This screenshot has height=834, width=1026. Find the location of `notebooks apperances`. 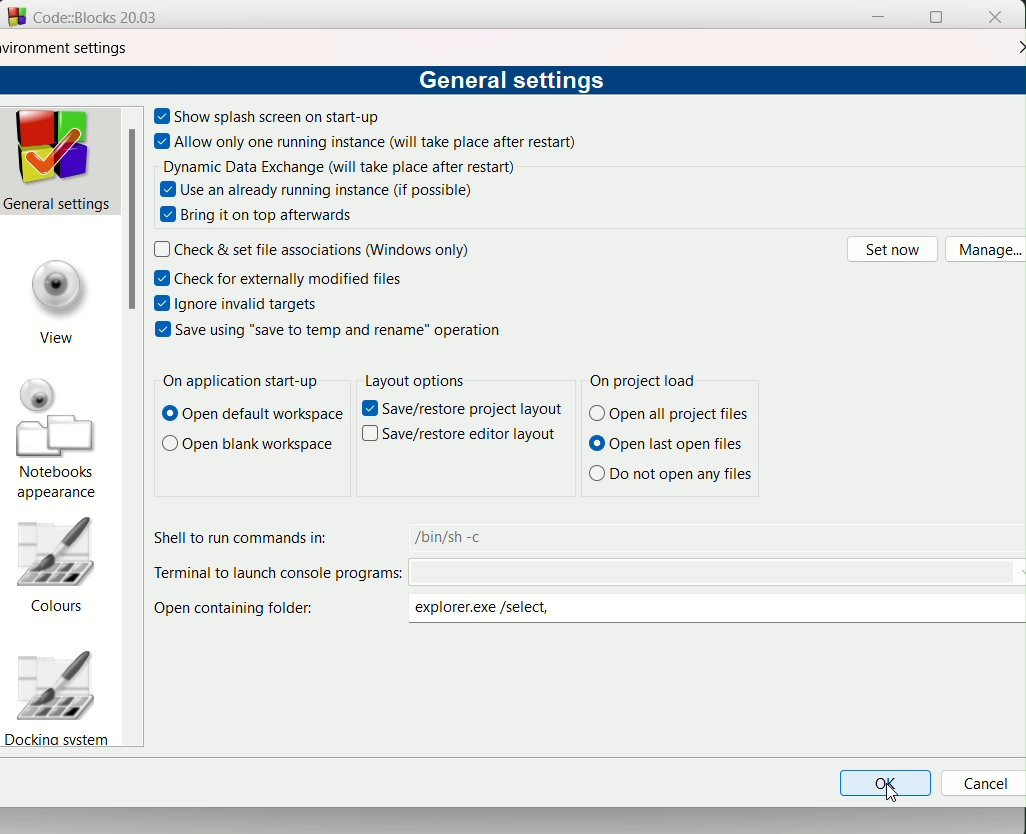

notebooks apperances is located at coordinates (60, 438).